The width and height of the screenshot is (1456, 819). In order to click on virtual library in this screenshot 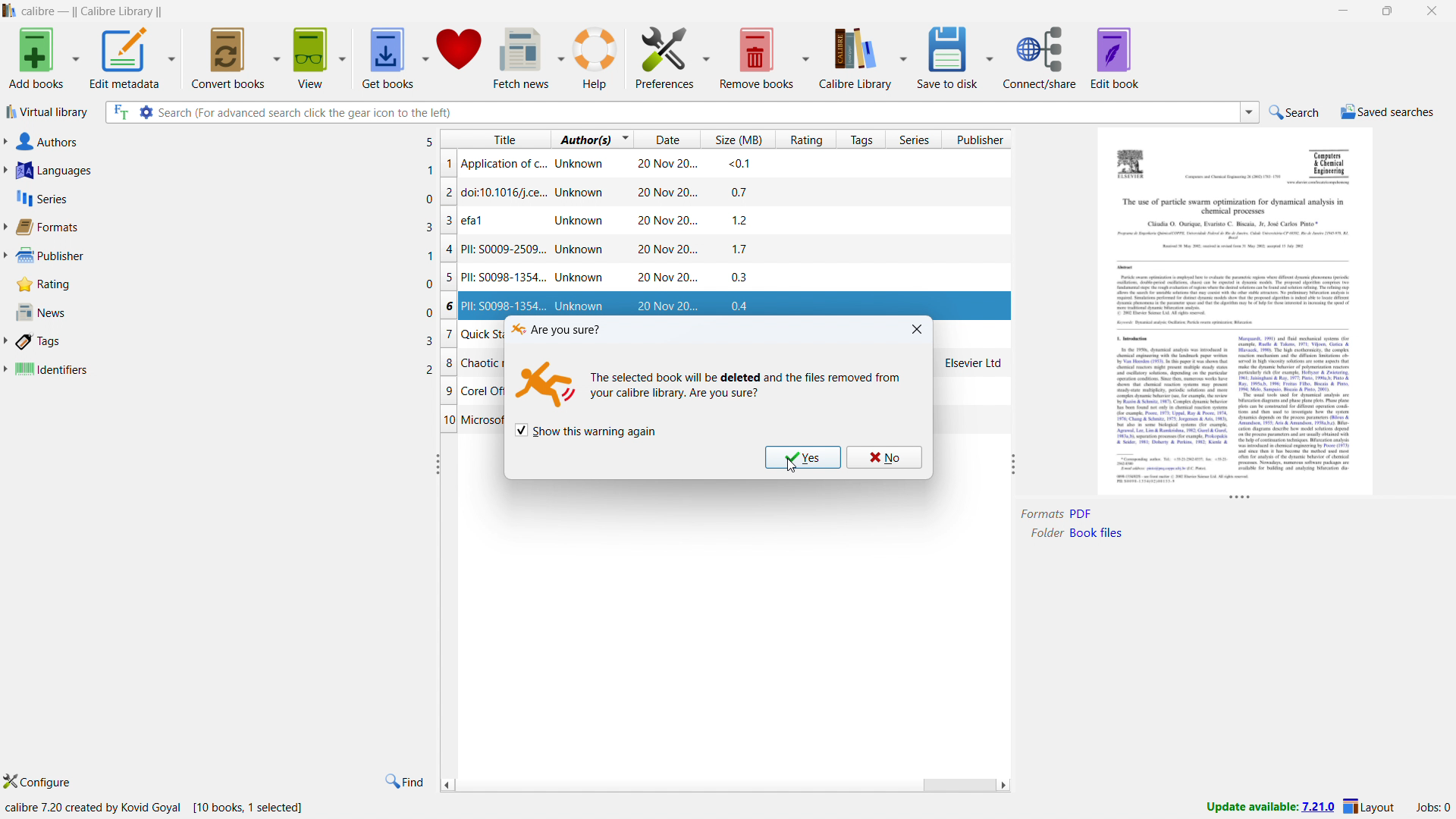, I will do `click(48, 111)`.